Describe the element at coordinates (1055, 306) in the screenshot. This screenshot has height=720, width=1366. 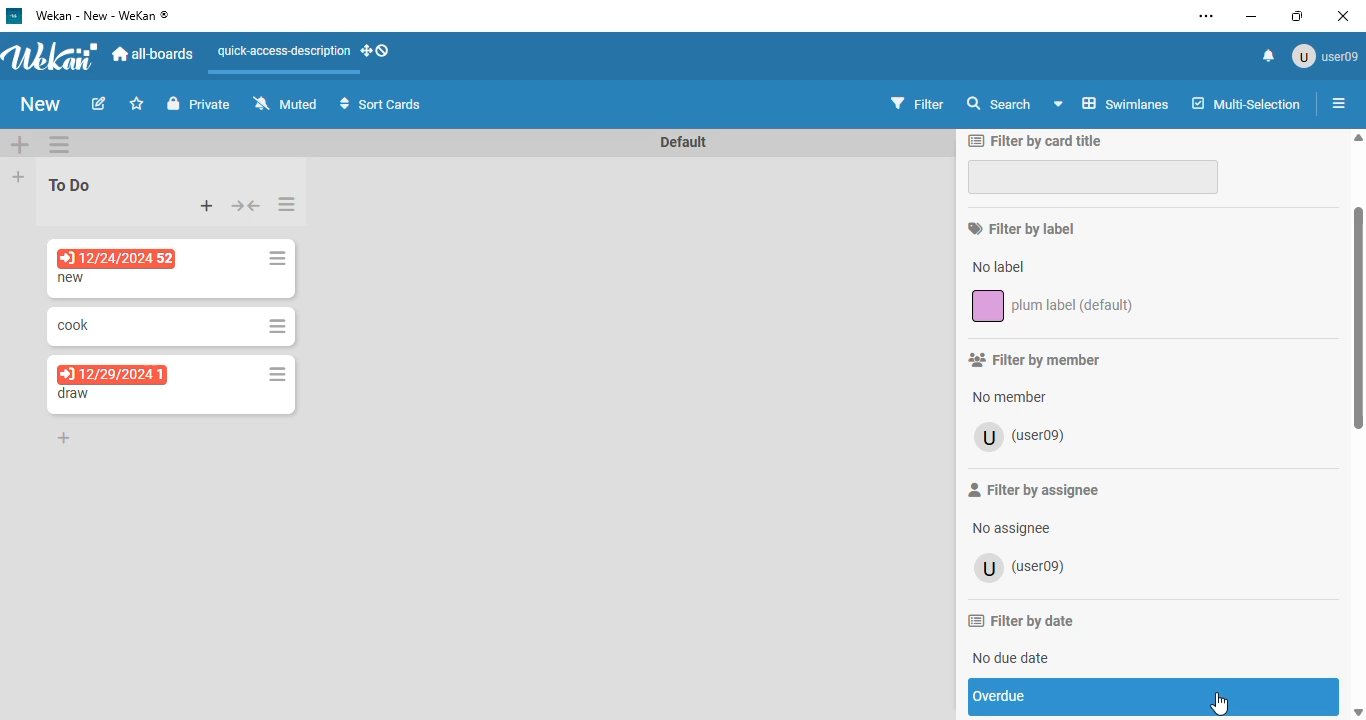
I see `plum label (default)` at that location.